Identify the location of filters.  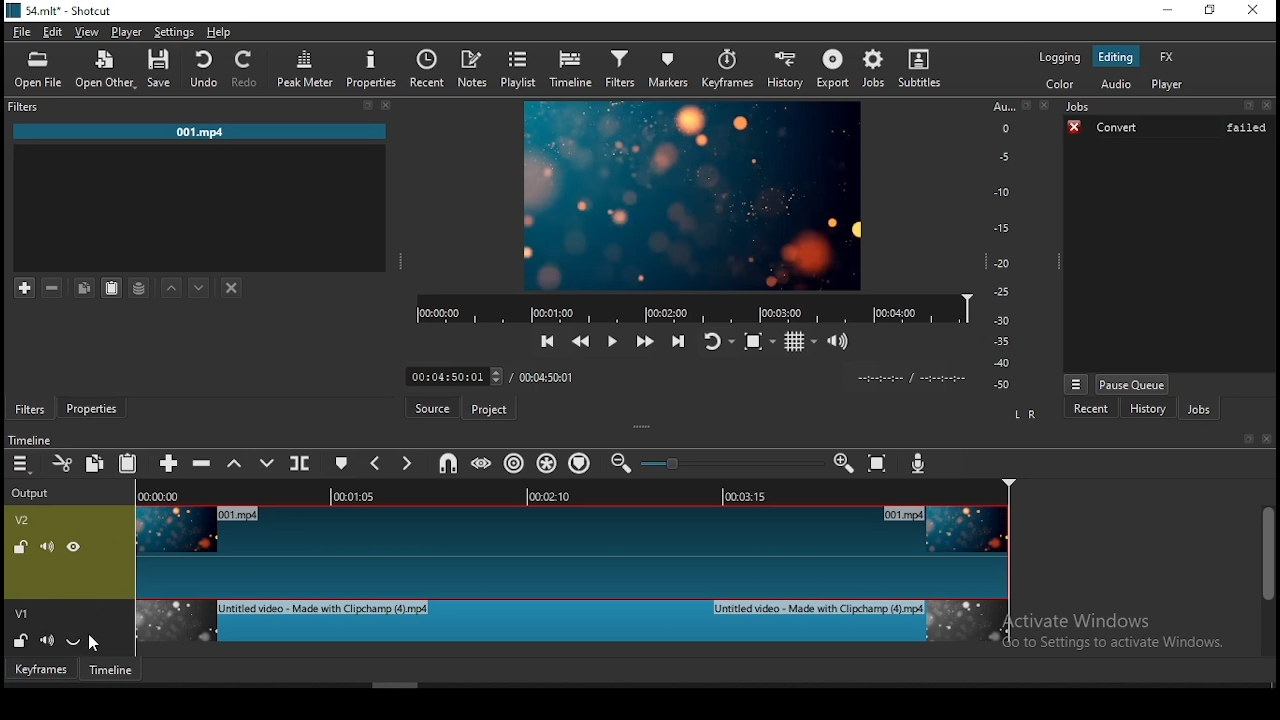
(619, 68).